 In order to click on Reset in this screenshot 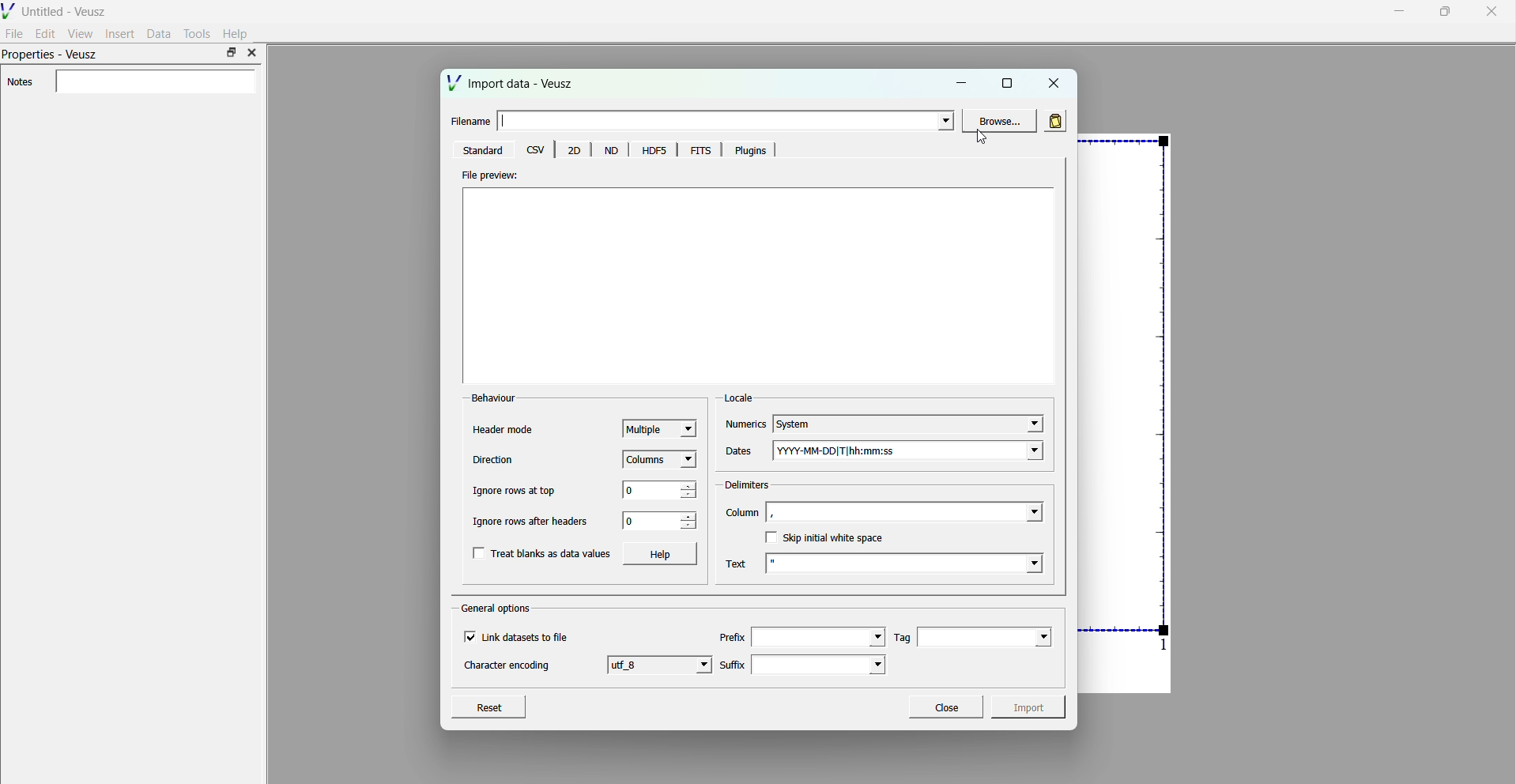, I will do `click(488, 705)`.